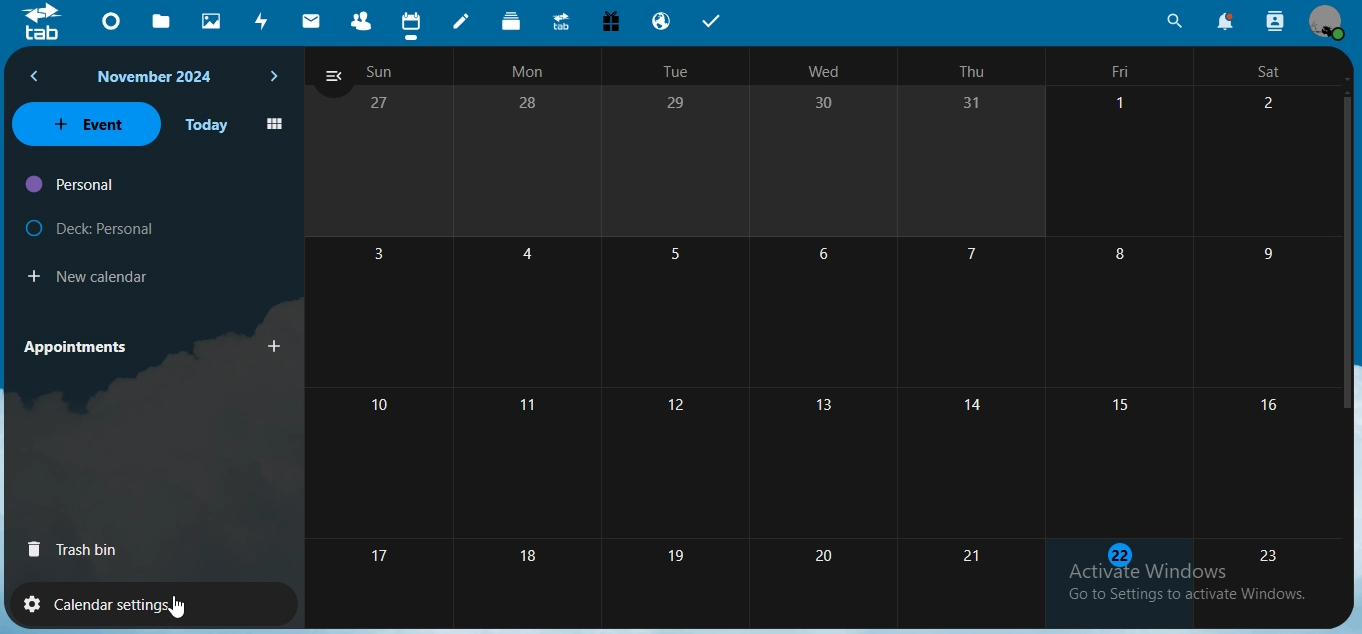 The height and width of the screenshot is (634, 1362). What do you see at coordinates (86, 123) in the screenshot?
I see `event` at bounding box center [86, 123].